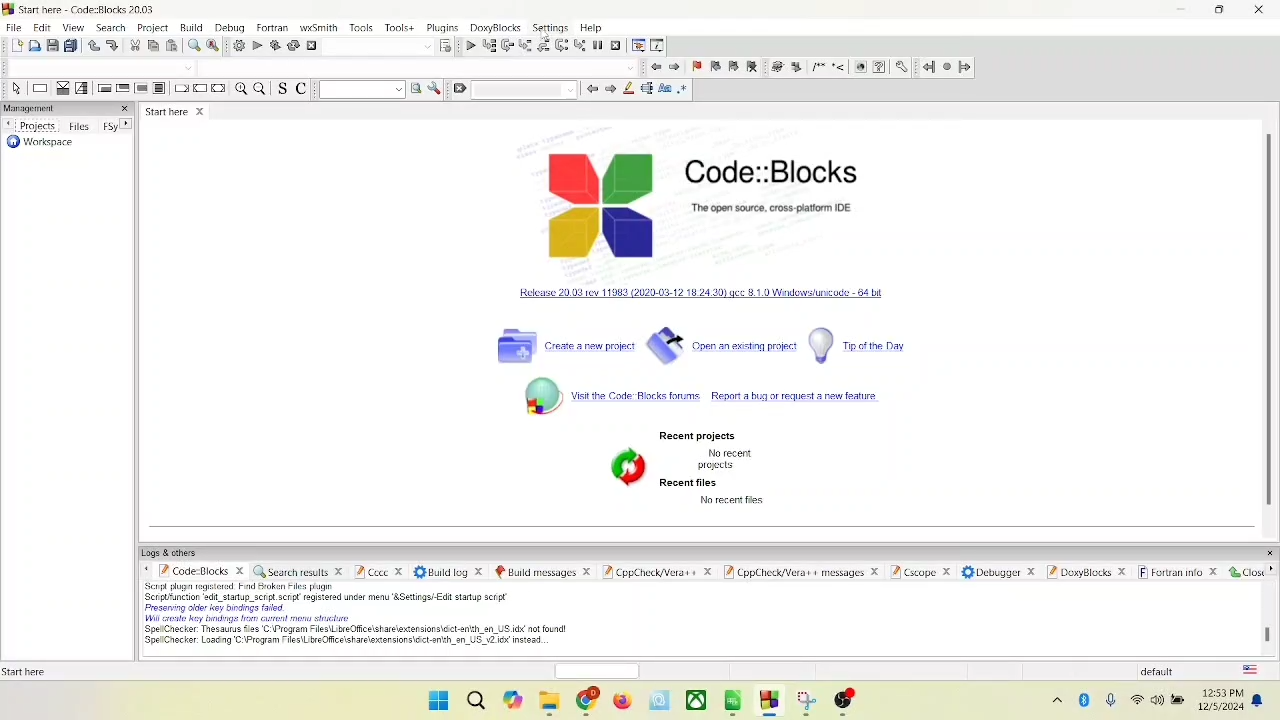 The image size is (1280, 720). I want to click on open, so click(33, 43).